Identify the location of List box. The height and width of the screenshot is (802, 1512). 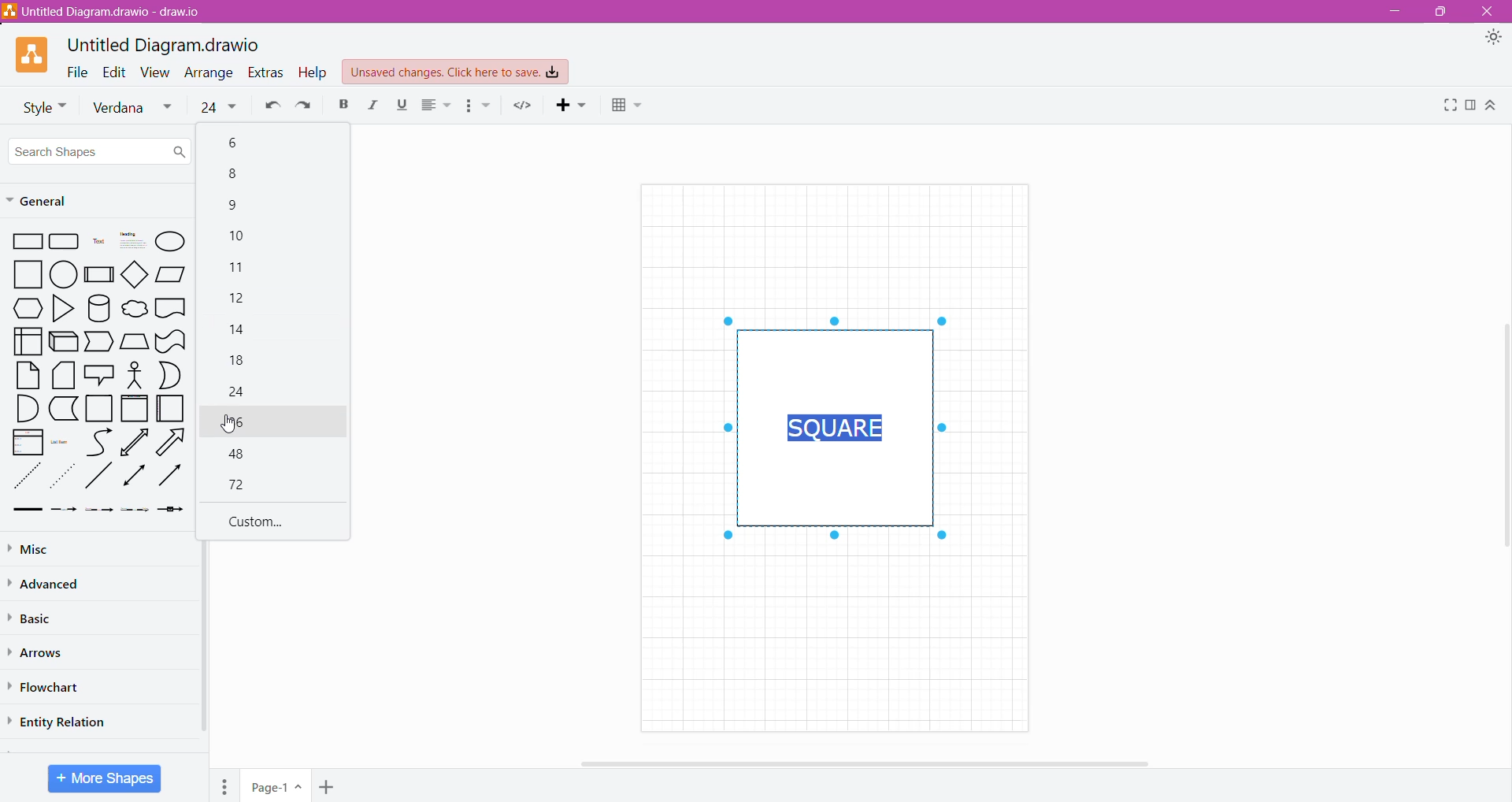
(24, 444).